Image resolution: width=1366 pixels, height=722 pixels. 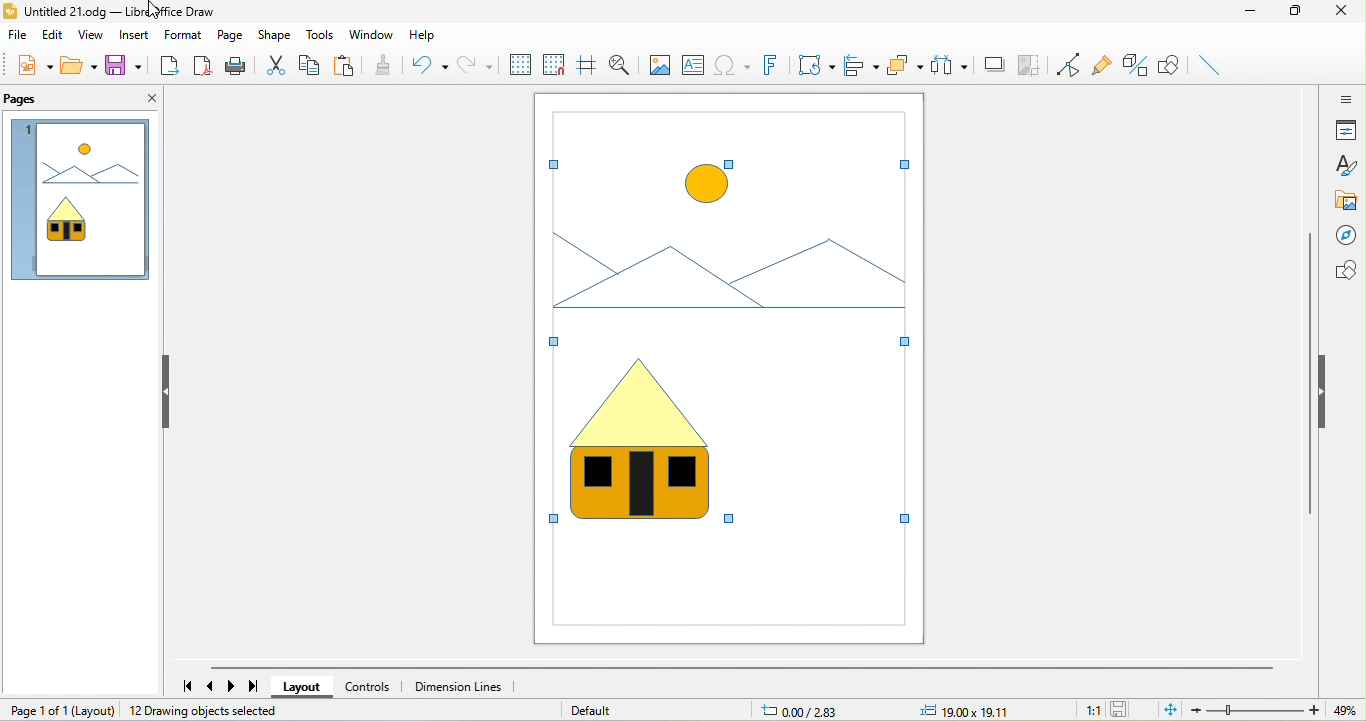 I want to click on shadow, so click(x=994, y=63).